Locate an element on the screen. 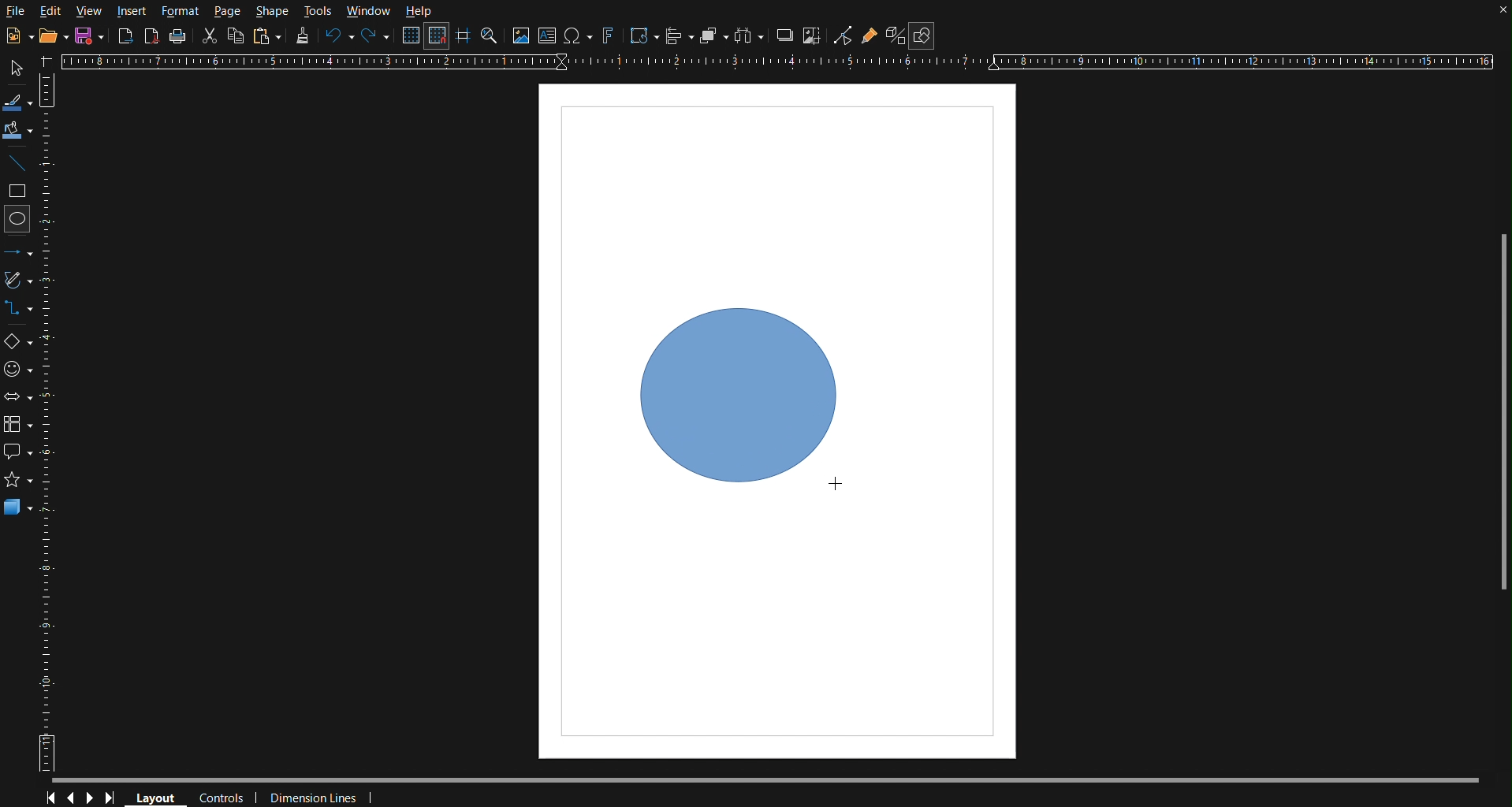 This screenshot has height=807, width=1512. Cut is located at coordinates (211, 37).